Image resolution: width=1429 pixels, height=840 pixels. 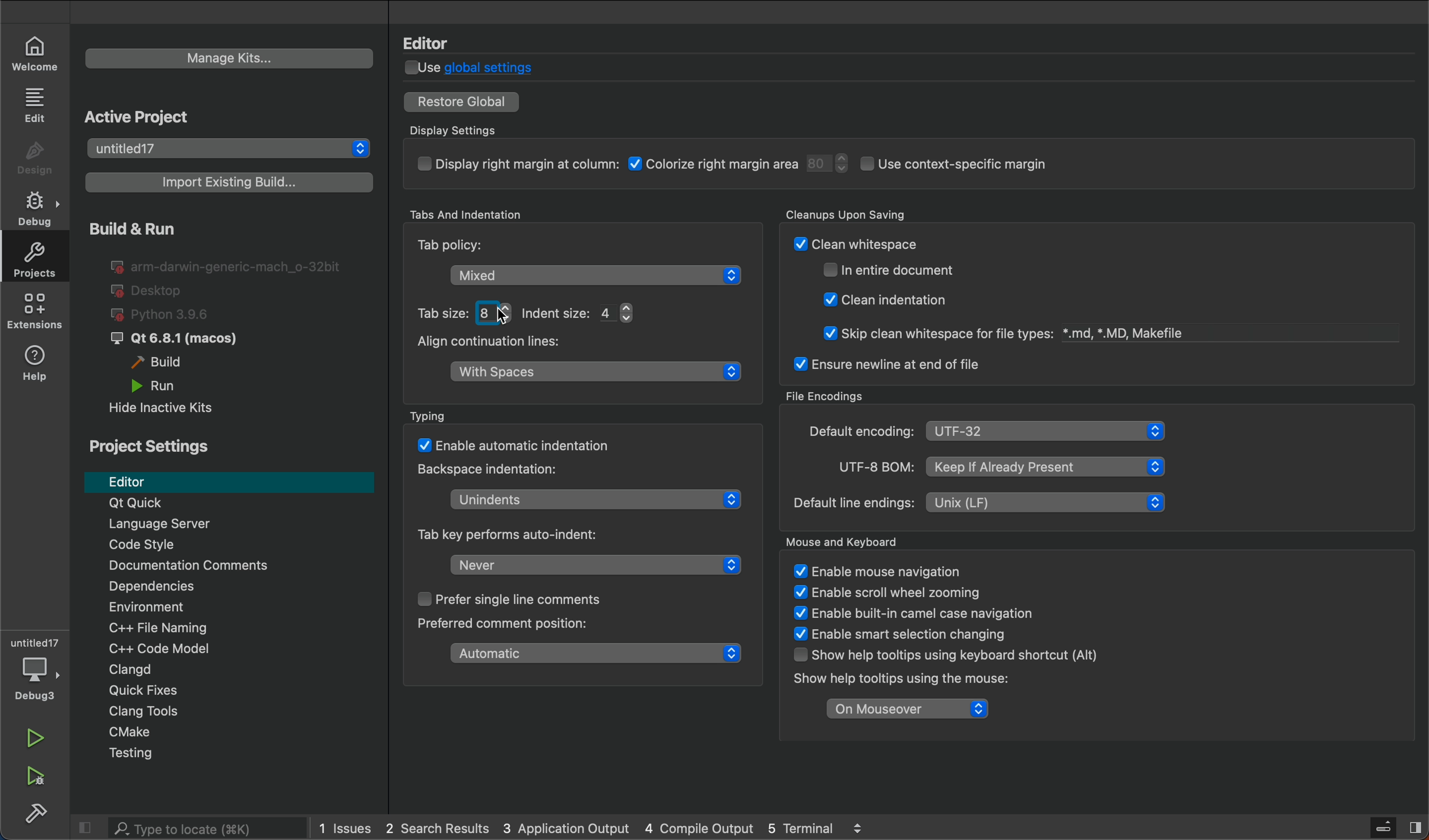 What do you see at coordinates (238, 735) in the screenshot?
I see `Cmakje` at bounding box center [238, 735].